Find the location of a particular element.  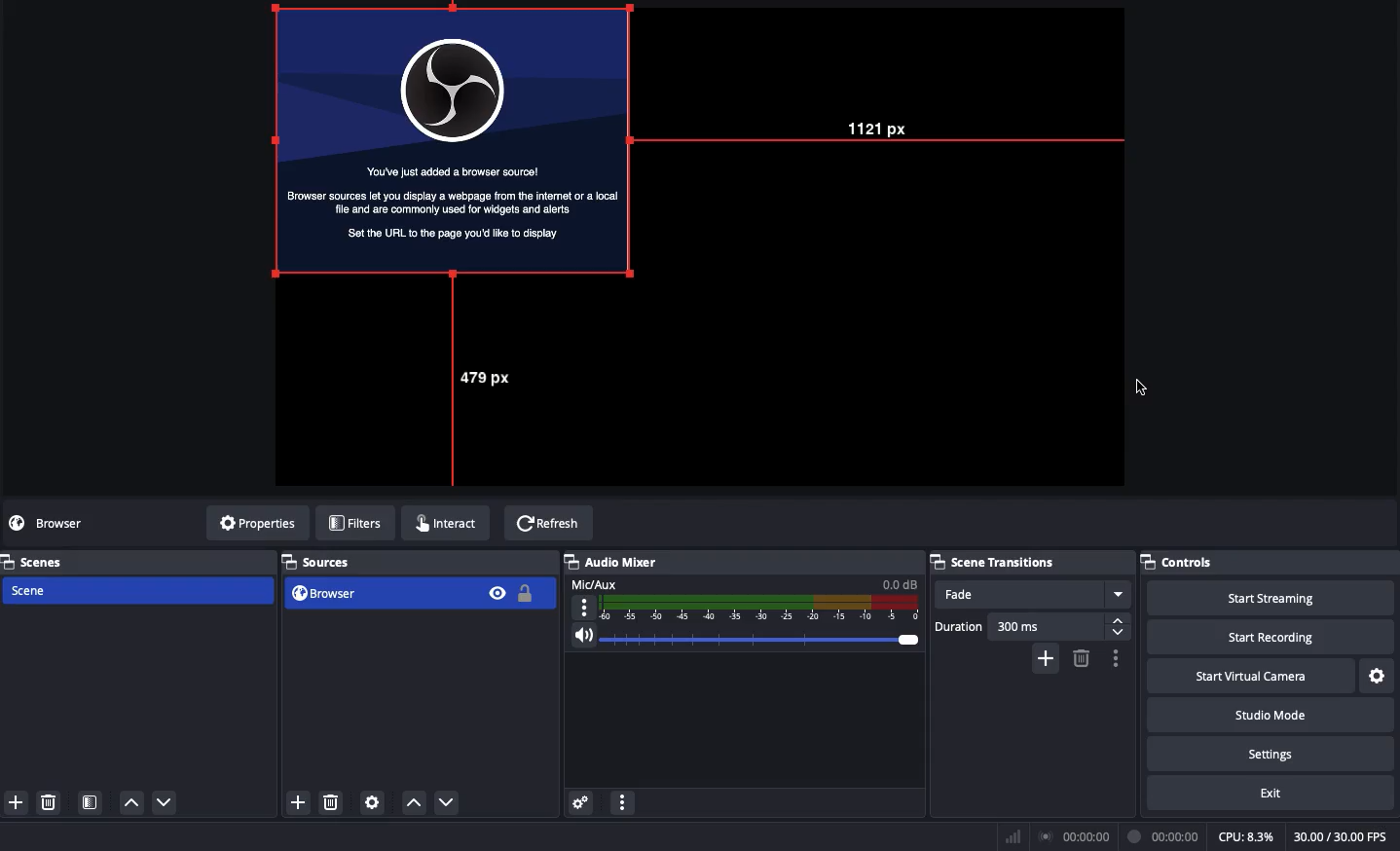

options is located at coordinates (622, 804).